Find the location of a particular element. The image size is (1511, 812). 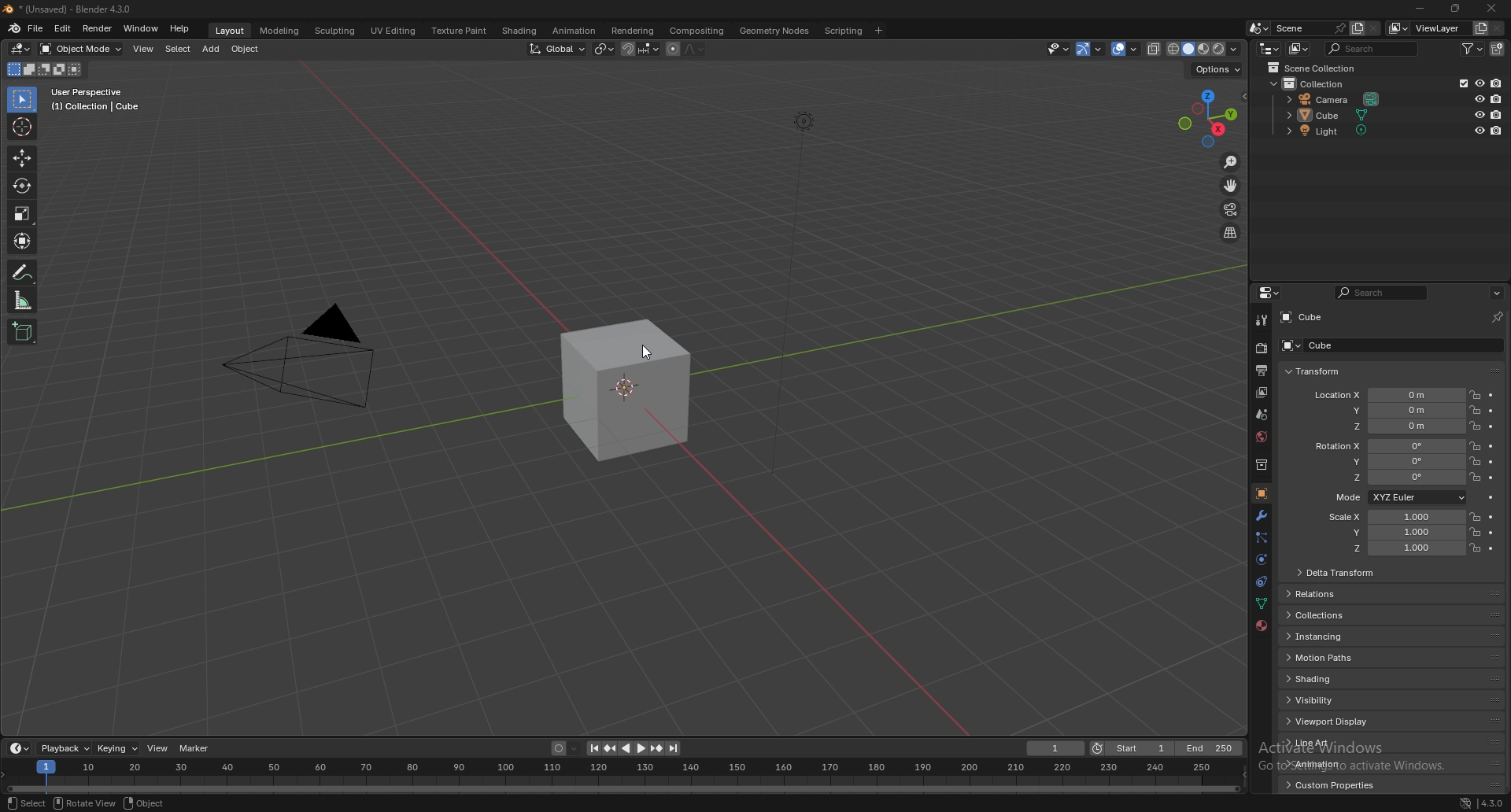

scene collection is located at coordinates (1313, 68).